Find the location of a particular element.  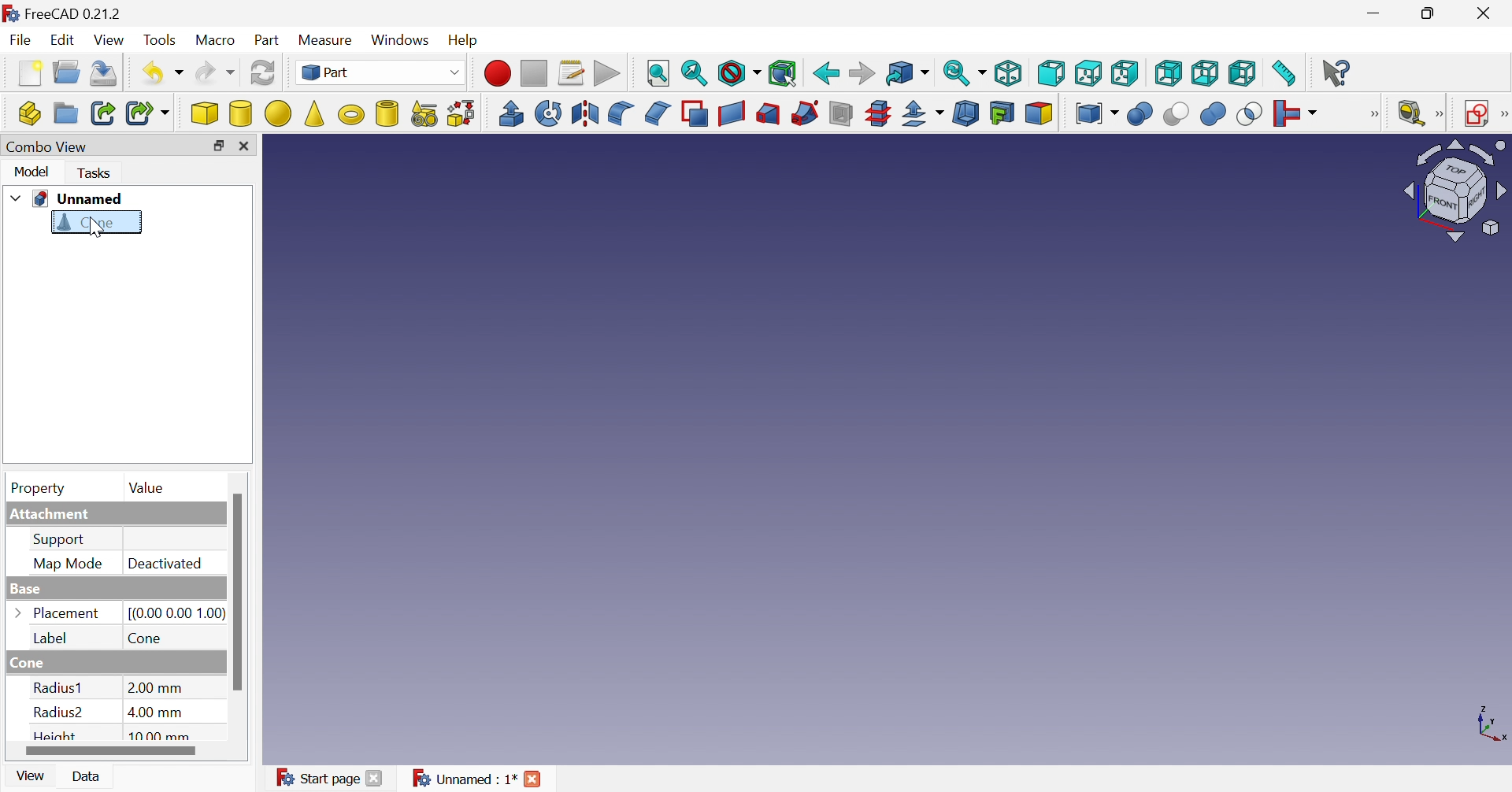

Minimize is located at coordinates (1373, 13).